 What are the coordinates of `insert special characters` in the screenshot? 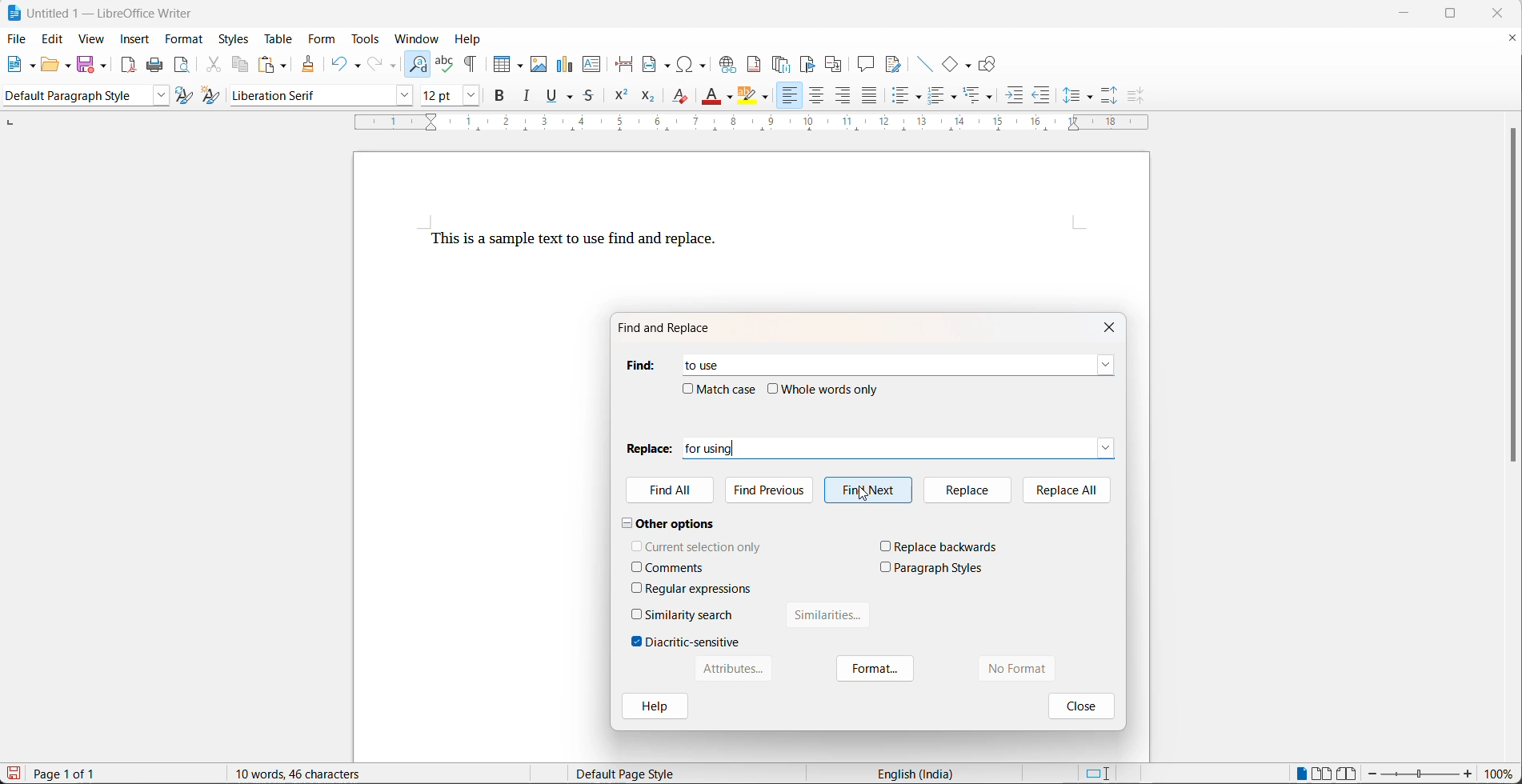 It's located at (696, 64).